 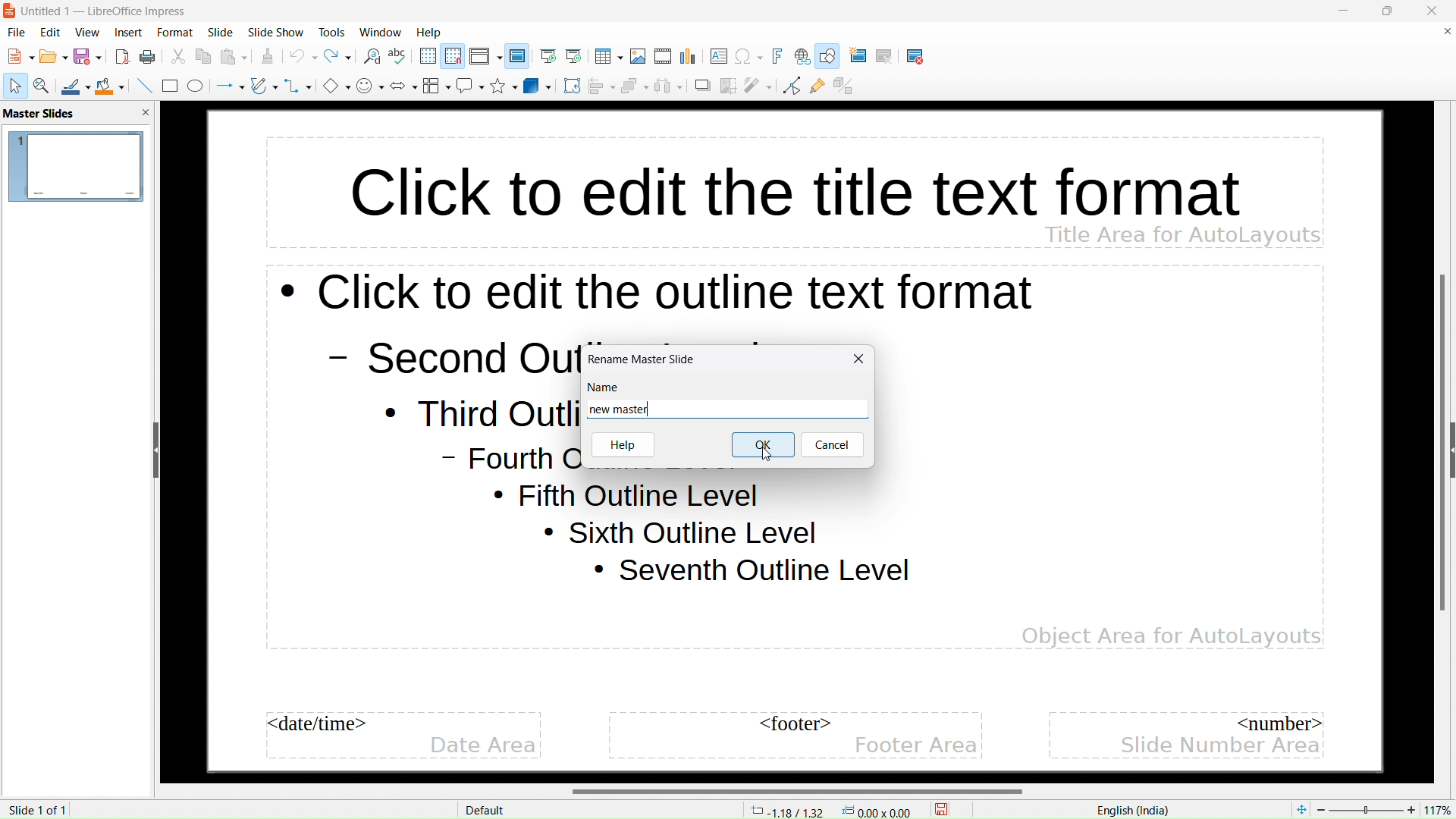 I want to click on save, so click(x=149, y=58).